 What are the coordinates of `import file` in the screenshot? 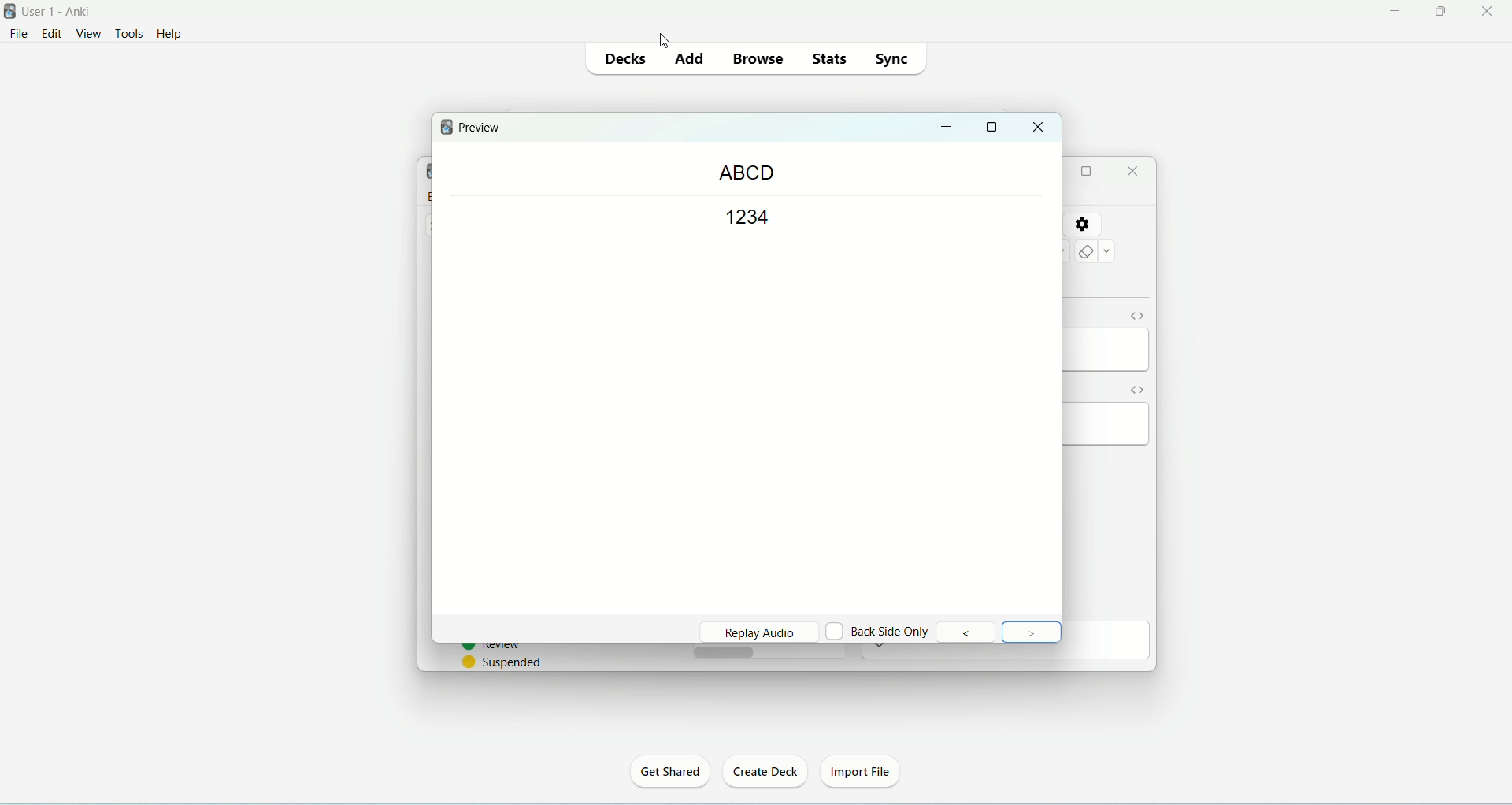 It's located at (862, 774).